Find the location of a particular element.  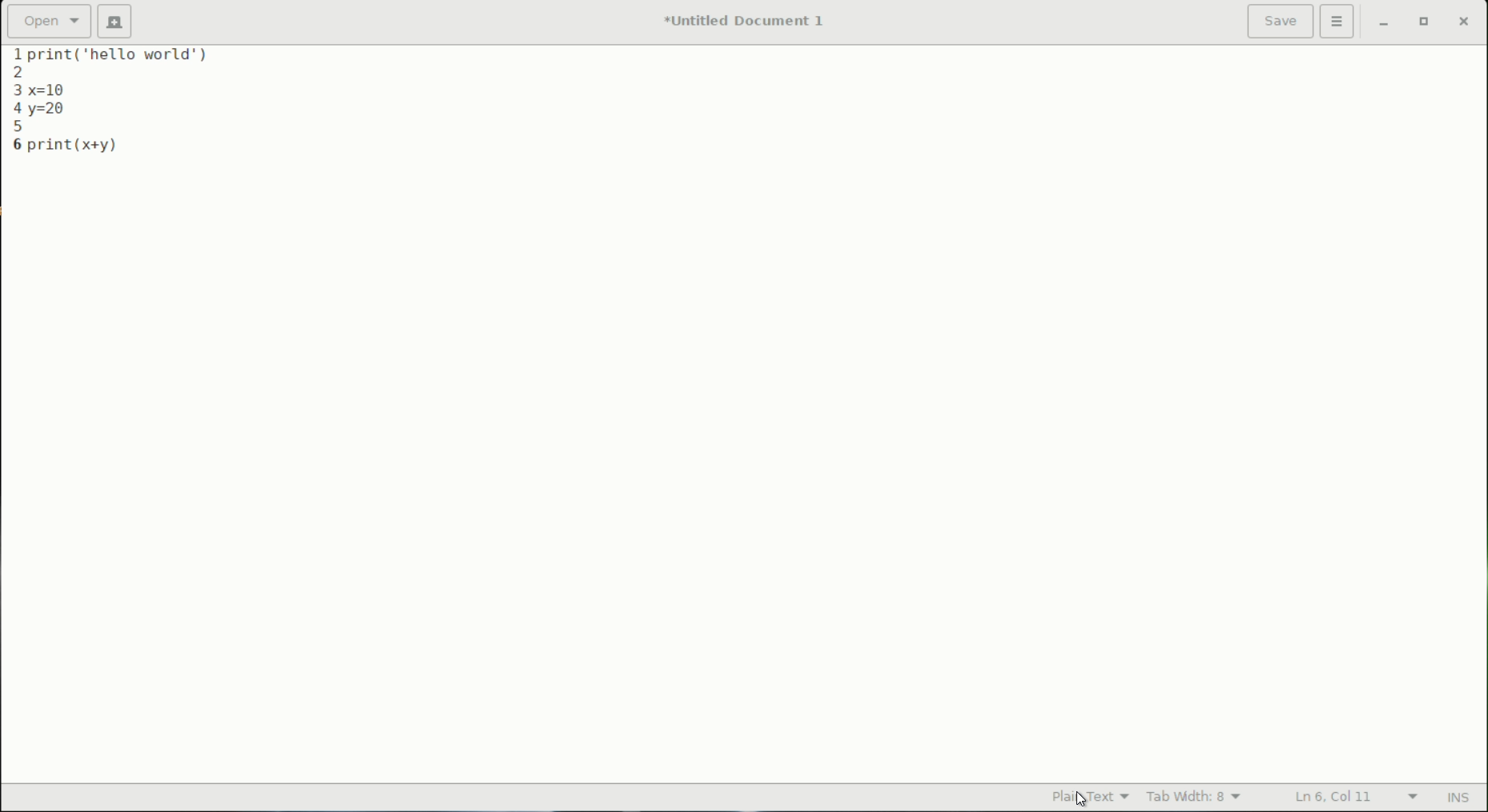

new tab is located at coordinates (115, 22).